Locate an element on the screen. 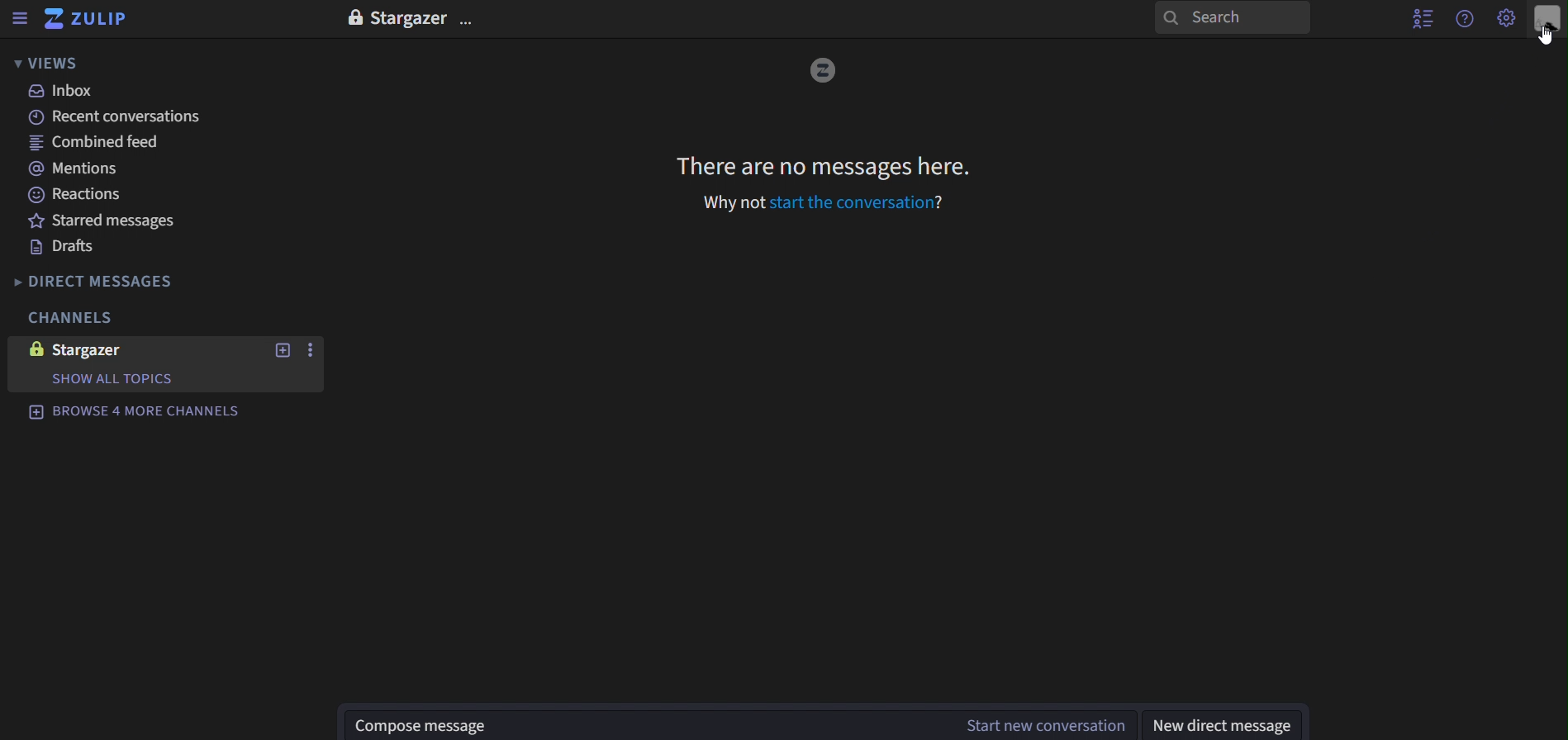  stargazer is located at coordinates (96, 349).